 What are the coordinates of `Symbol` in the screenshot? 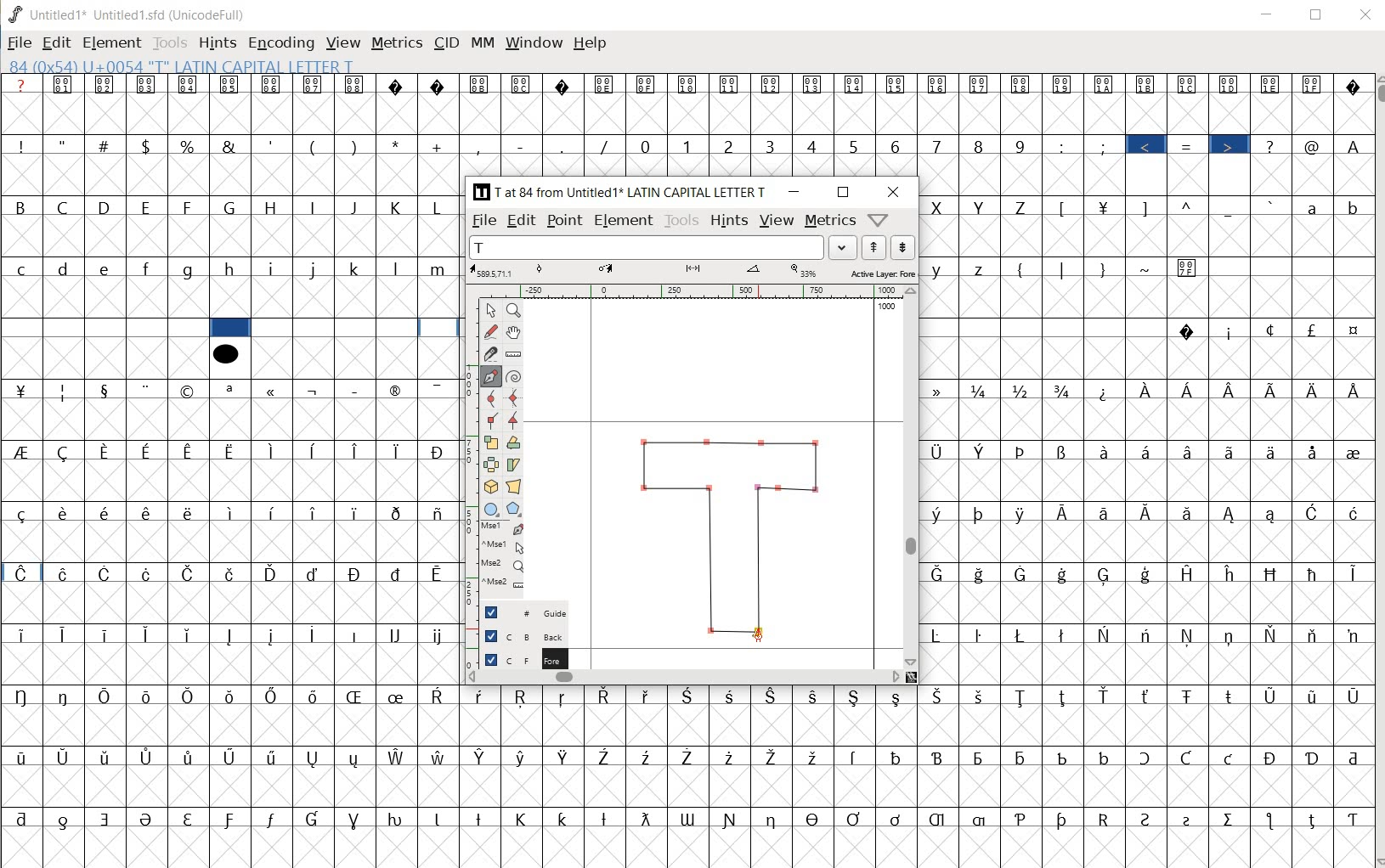 It's located at (1063, 452).